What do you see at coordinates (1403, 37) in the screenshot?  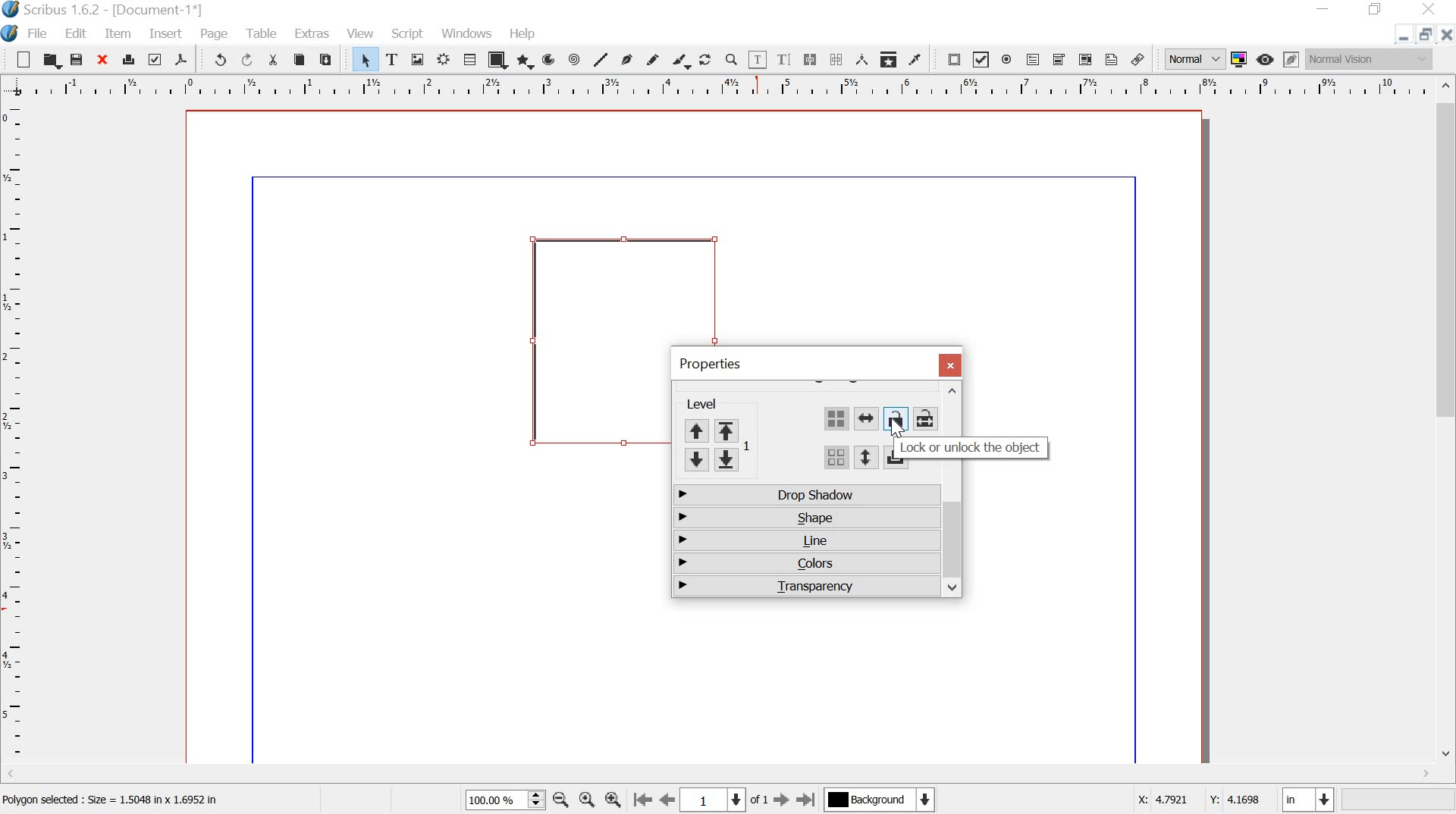 I see `minimize` at bounding box center [1403, 37].